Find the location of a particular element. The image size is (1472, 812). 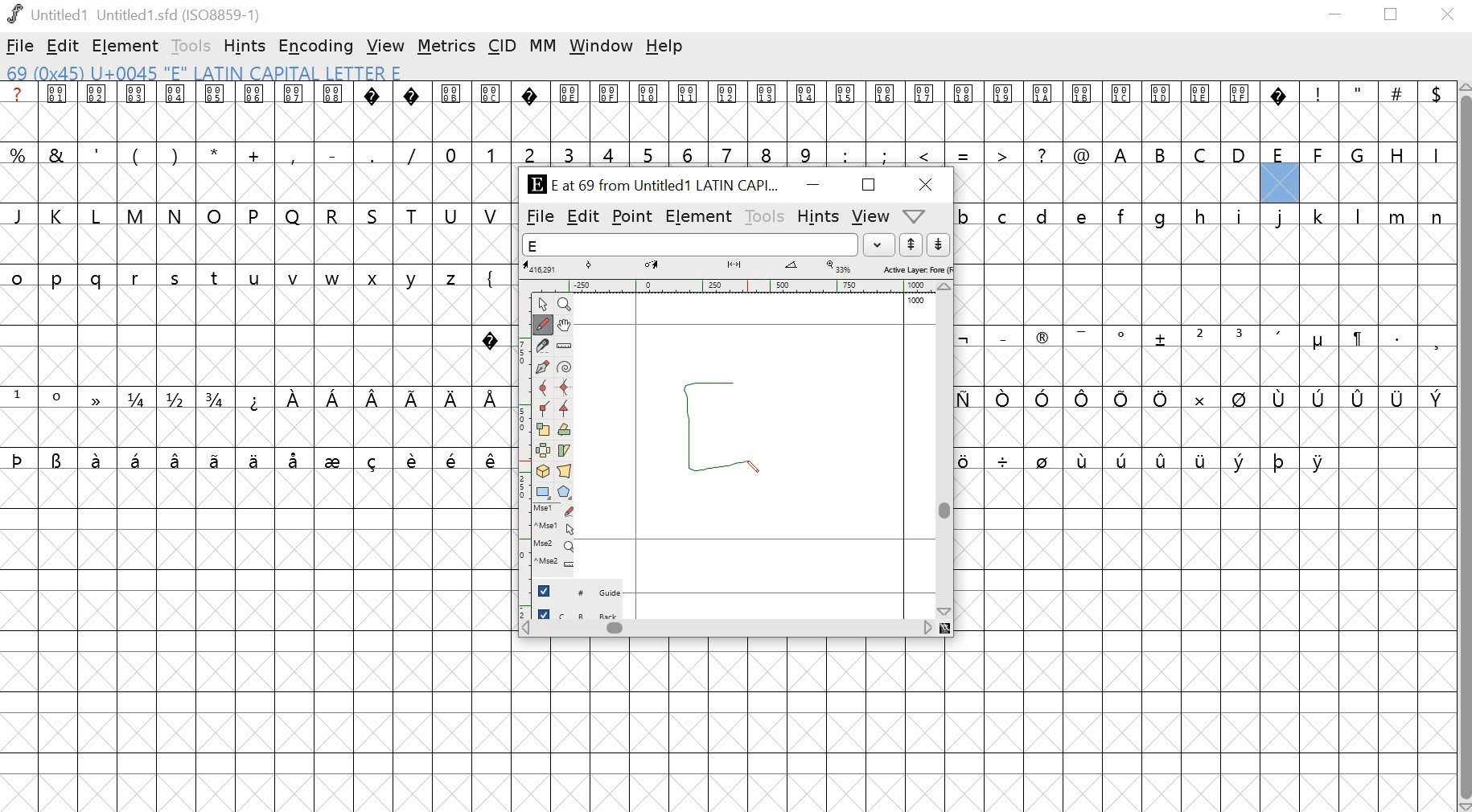

Ruler is located at coordinates (565, 345).